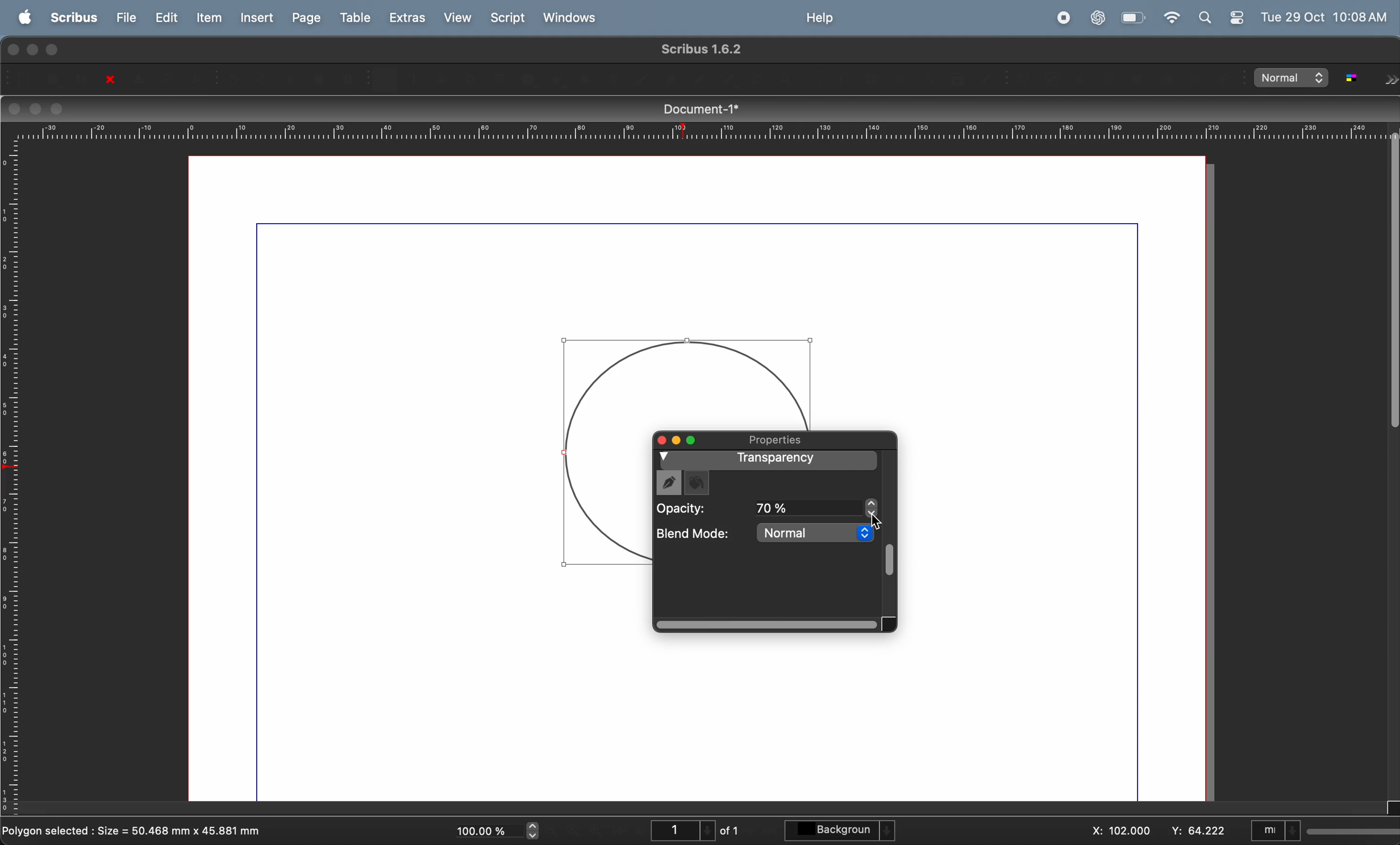  I want to click on scribus, so click(70, 16).